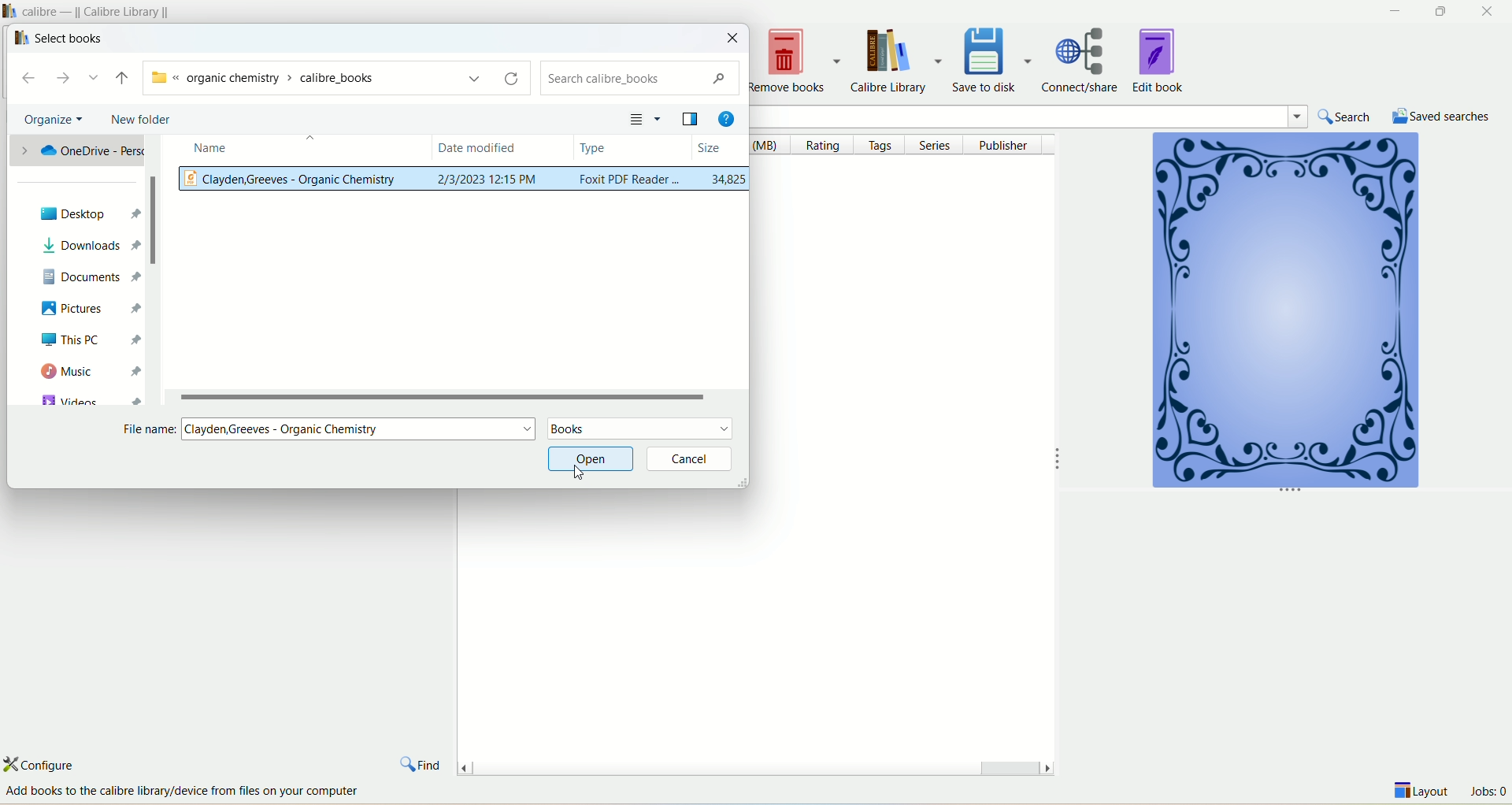 The height and width of the screenshot is (805, 1512). I want to click on this PC, so click(86, 339).